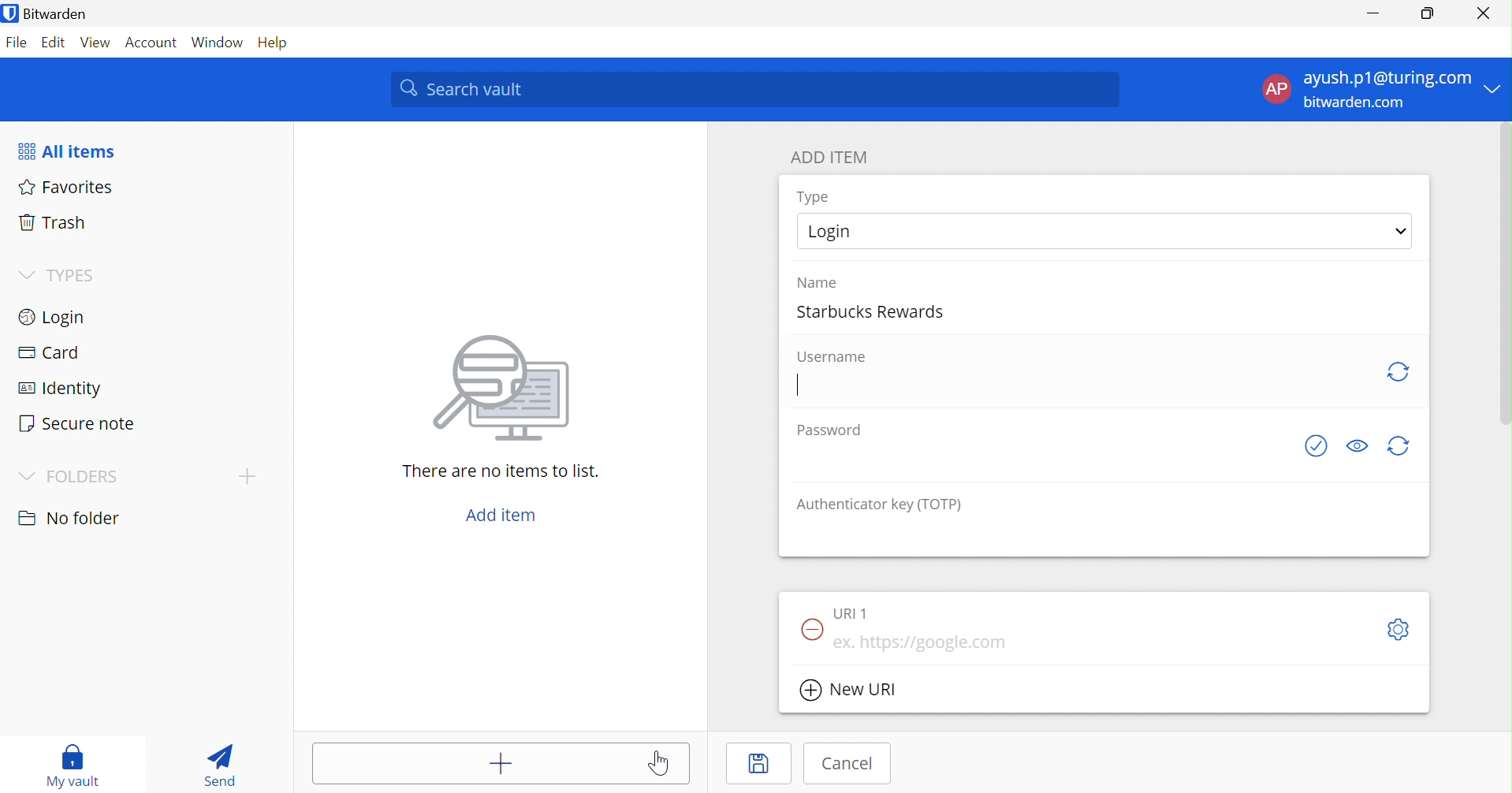 Image resolution: width=1512 pixels, height=793 pixels. What do you see at coordinates (836, 229) in the screenshot?
I see `Login` at bounding box center [836, 229].